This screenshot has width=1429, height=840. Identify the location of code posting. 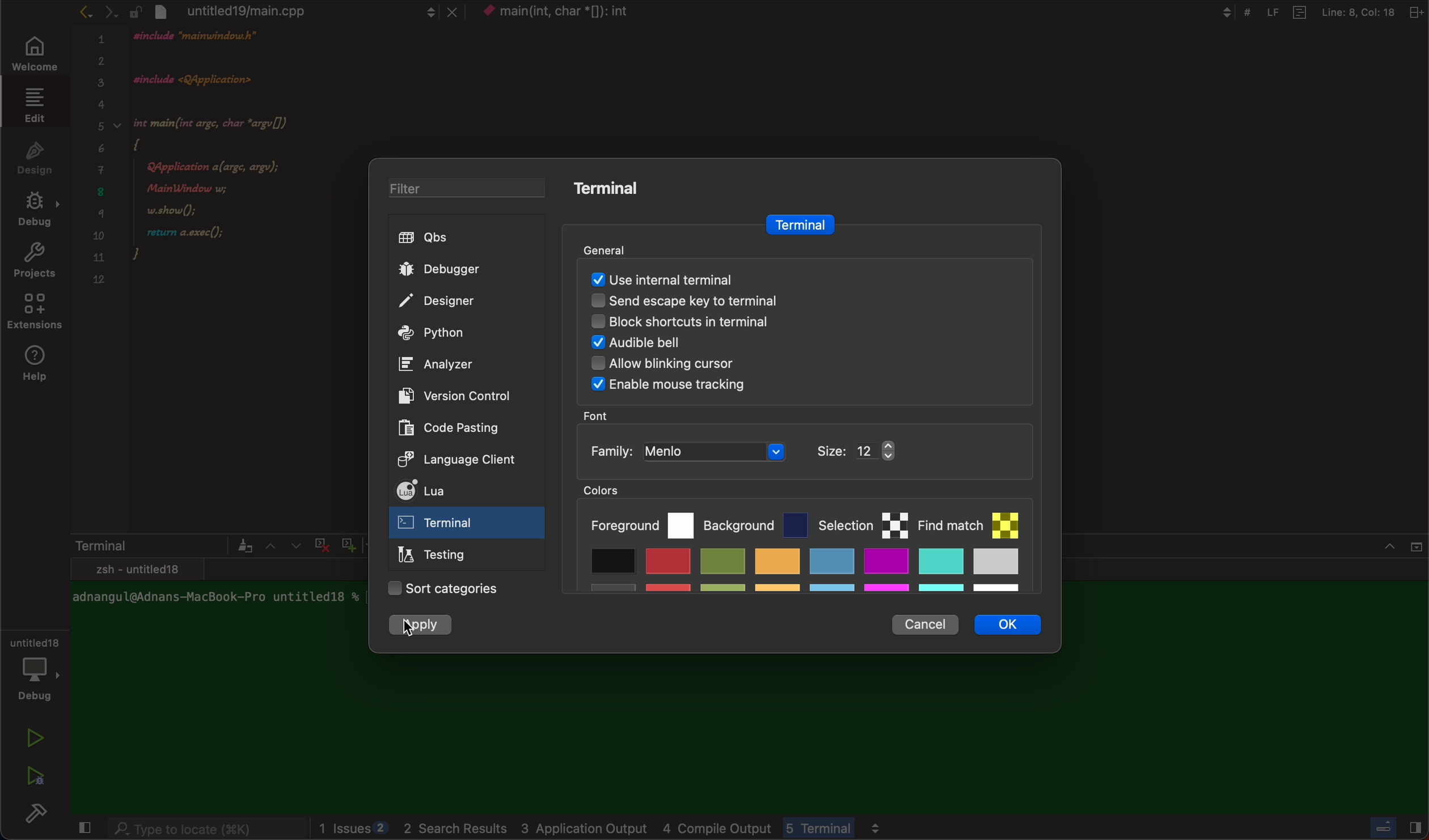
(456, 427).